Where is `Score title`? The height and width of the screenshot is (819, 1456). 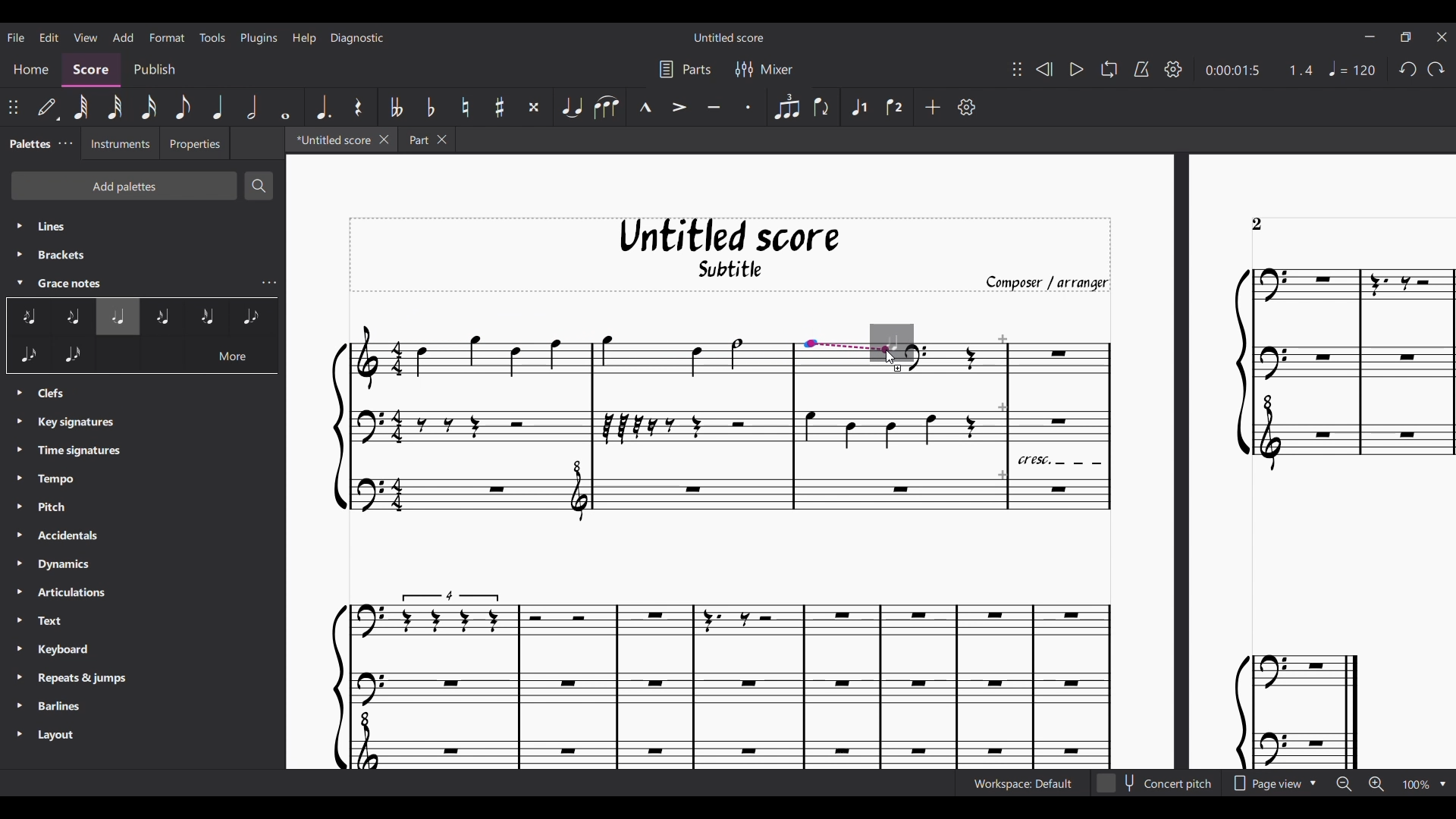
Score title is located at coordinates (728, 37).